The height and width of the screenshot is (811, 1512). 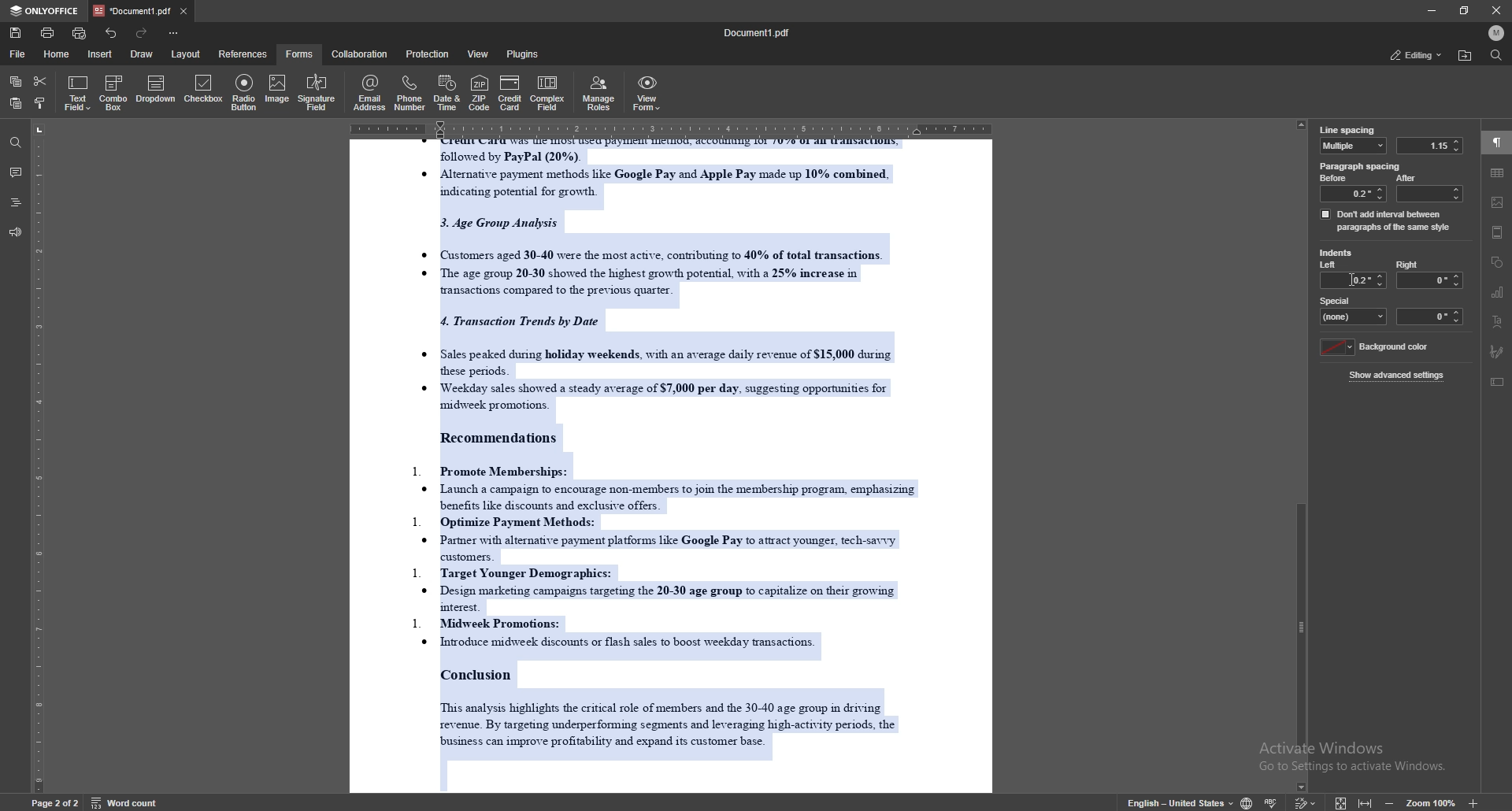 I want to click on home, so click(x=59, y=54).